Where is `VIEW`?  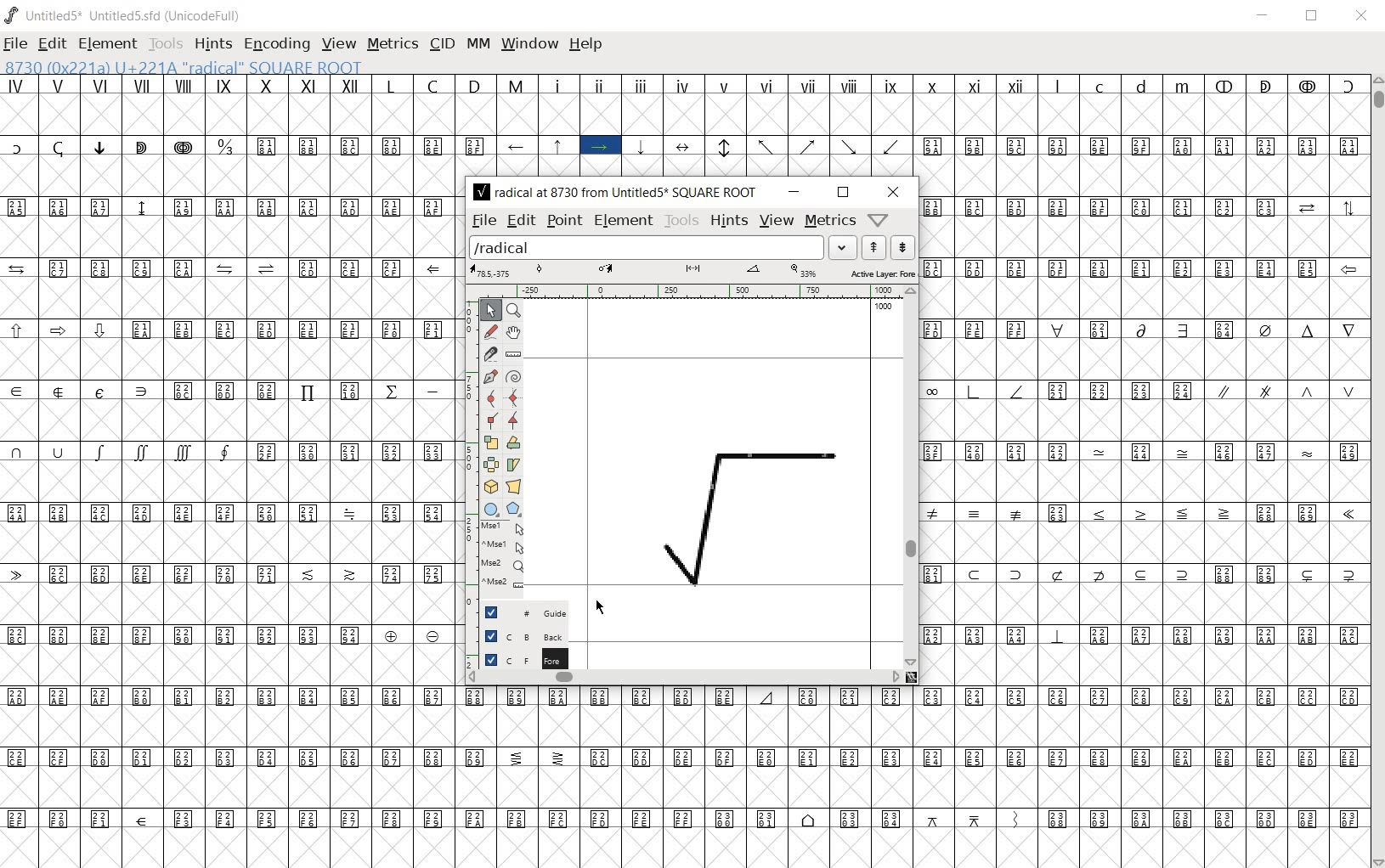 VIEW is located at coordinates (337, 44).